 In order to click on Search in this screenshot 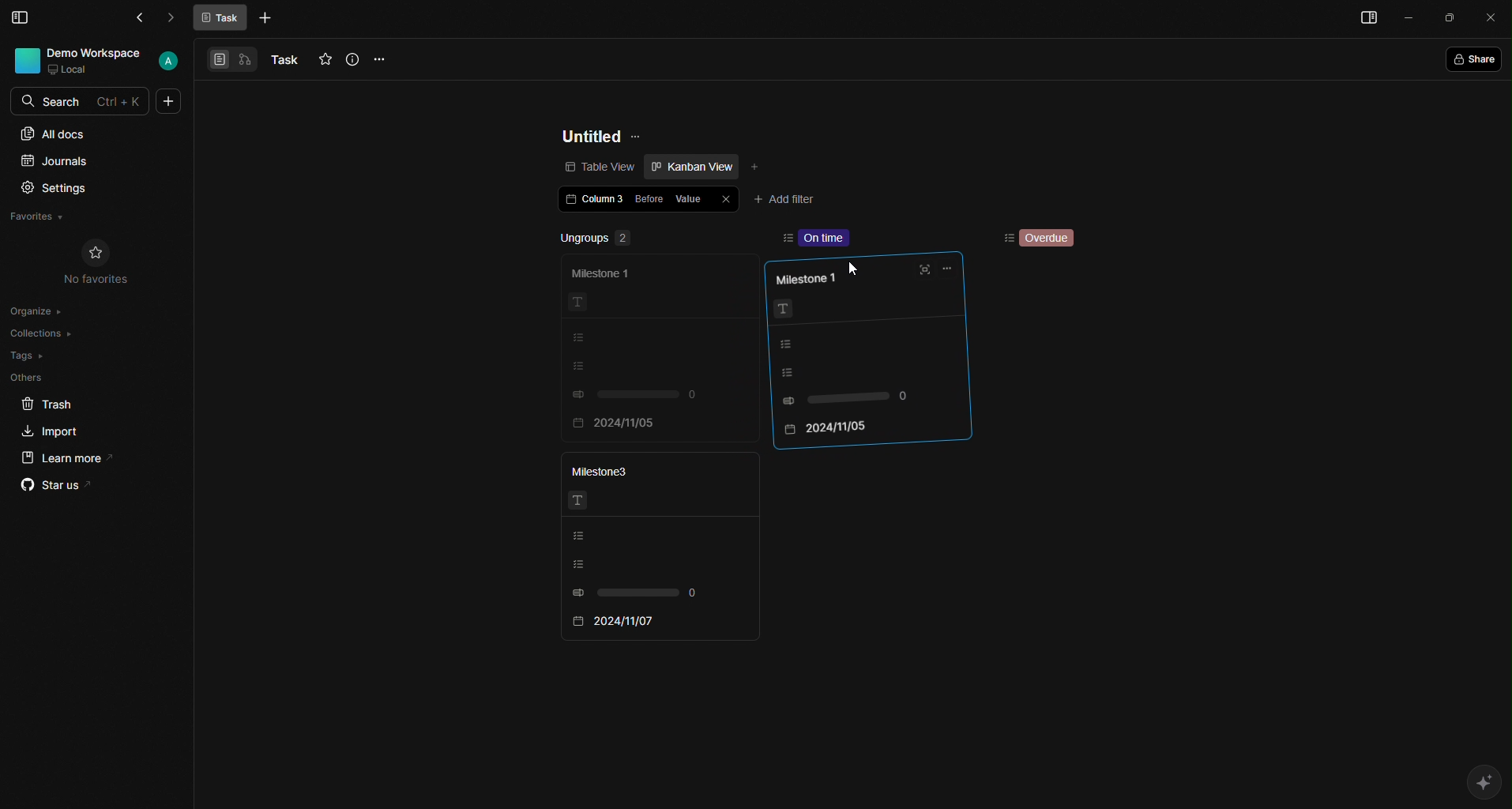, I will do `click(81, 100)`.